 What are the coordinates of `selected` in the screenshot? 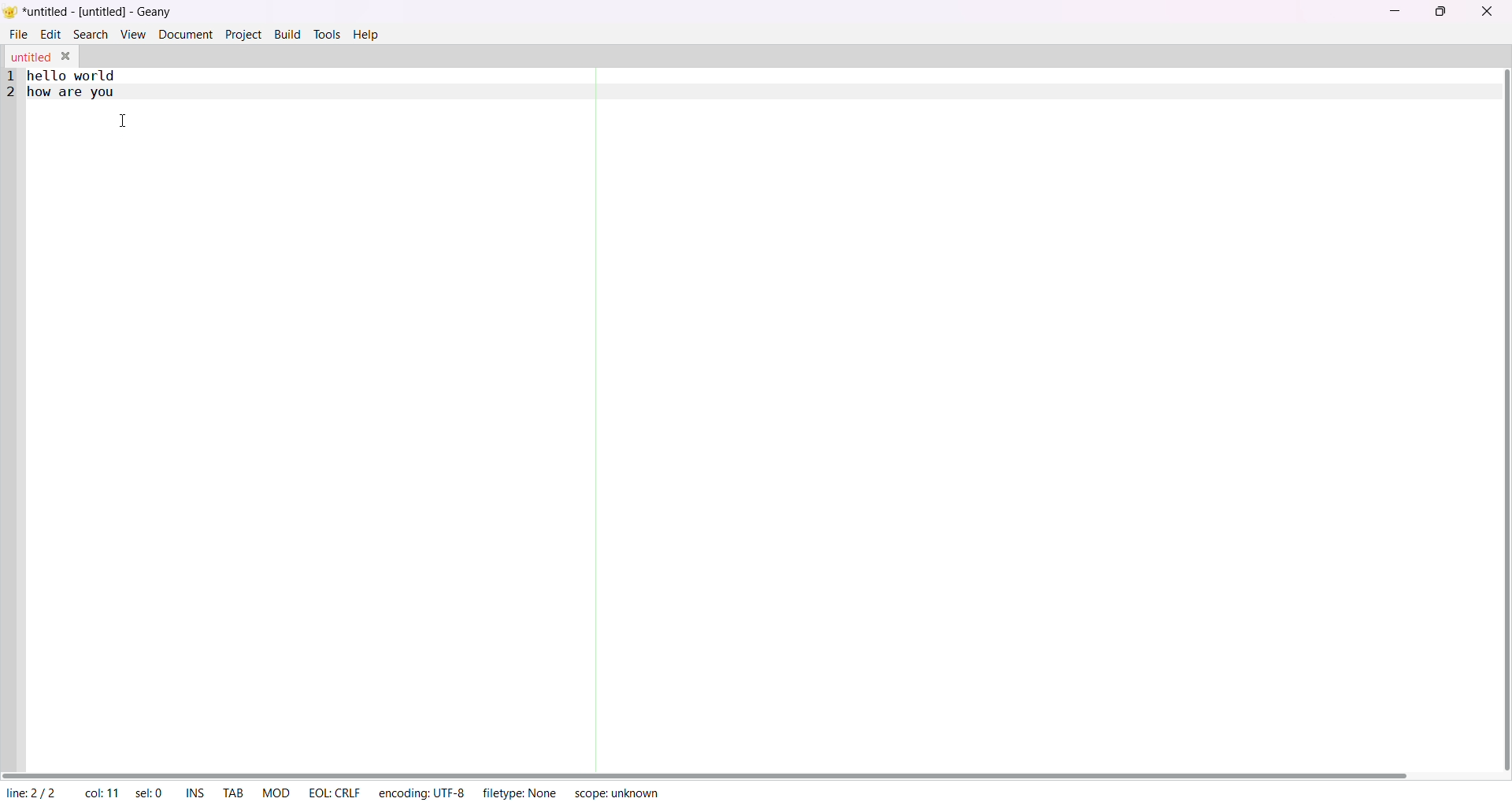 It's located at (148, 792).